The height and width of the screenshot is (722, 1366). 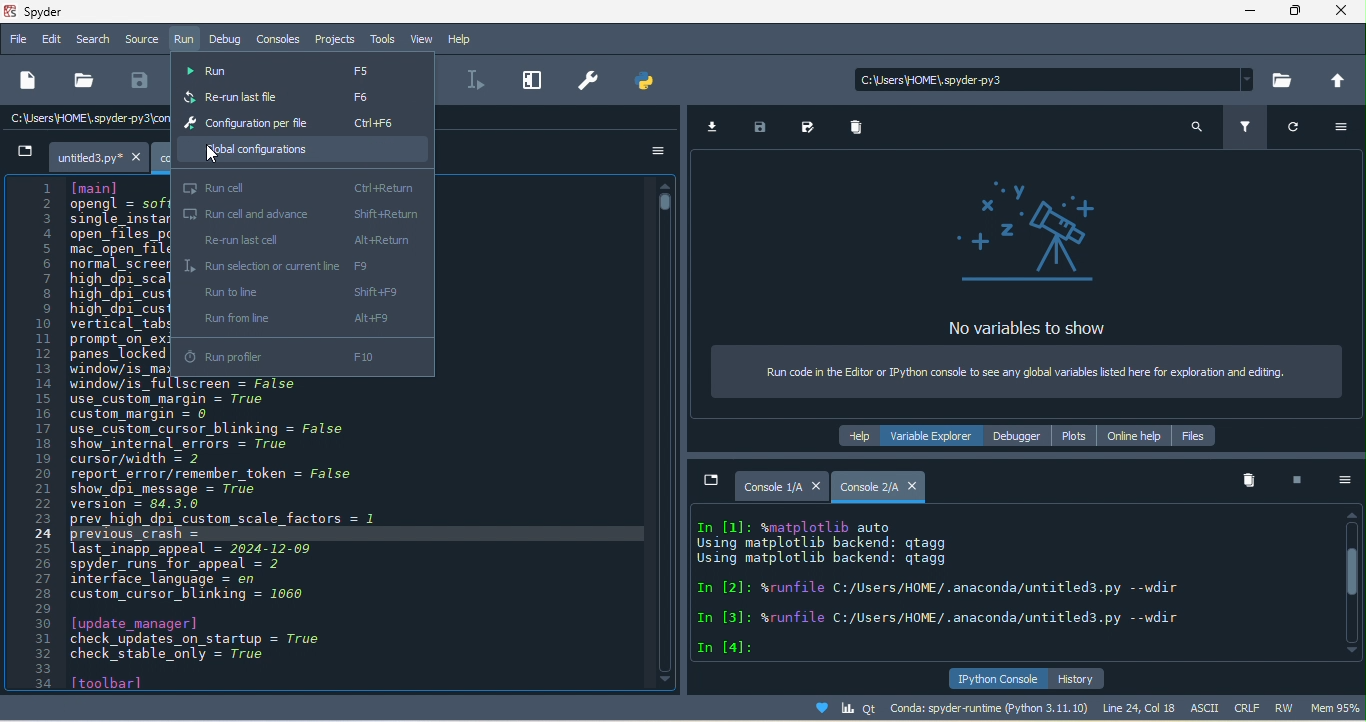 I want to click on re-run last file, so click(x=287, y=99).